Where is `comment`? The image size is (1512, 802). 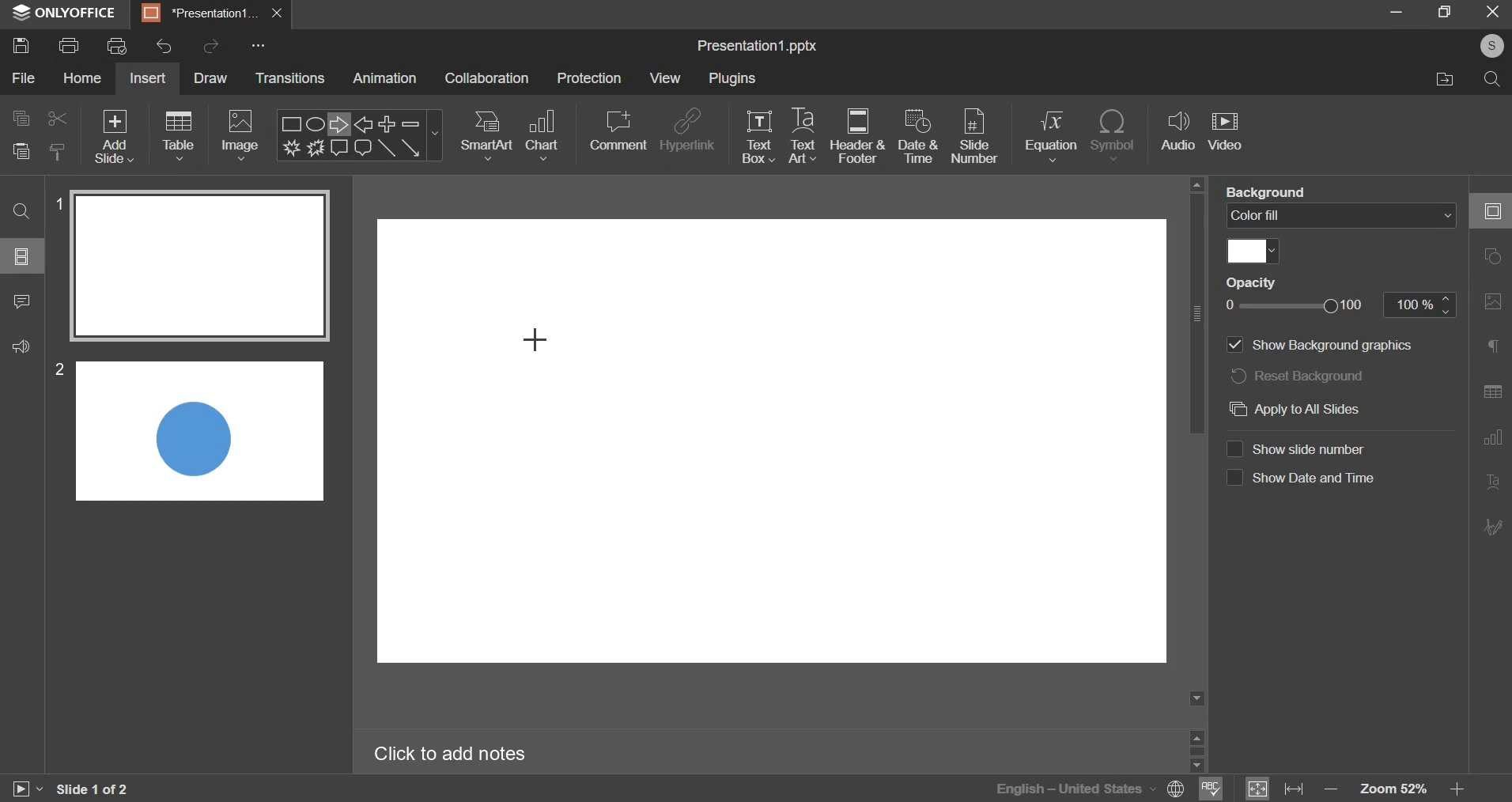 comment is located at coordinates (22, 301).